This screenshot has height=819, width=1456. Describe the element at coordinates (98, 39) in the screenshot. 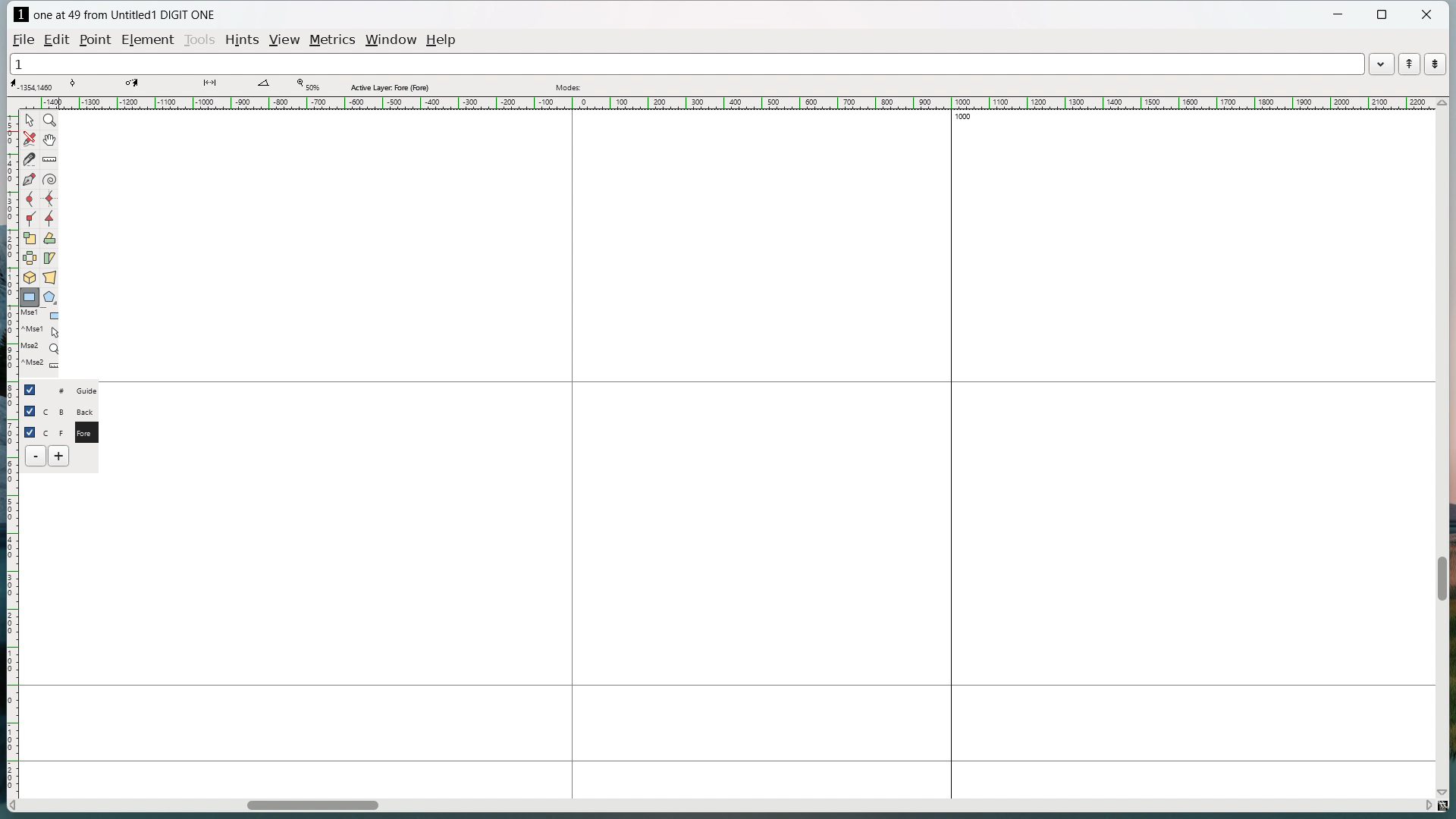

I see `Point` at that location.